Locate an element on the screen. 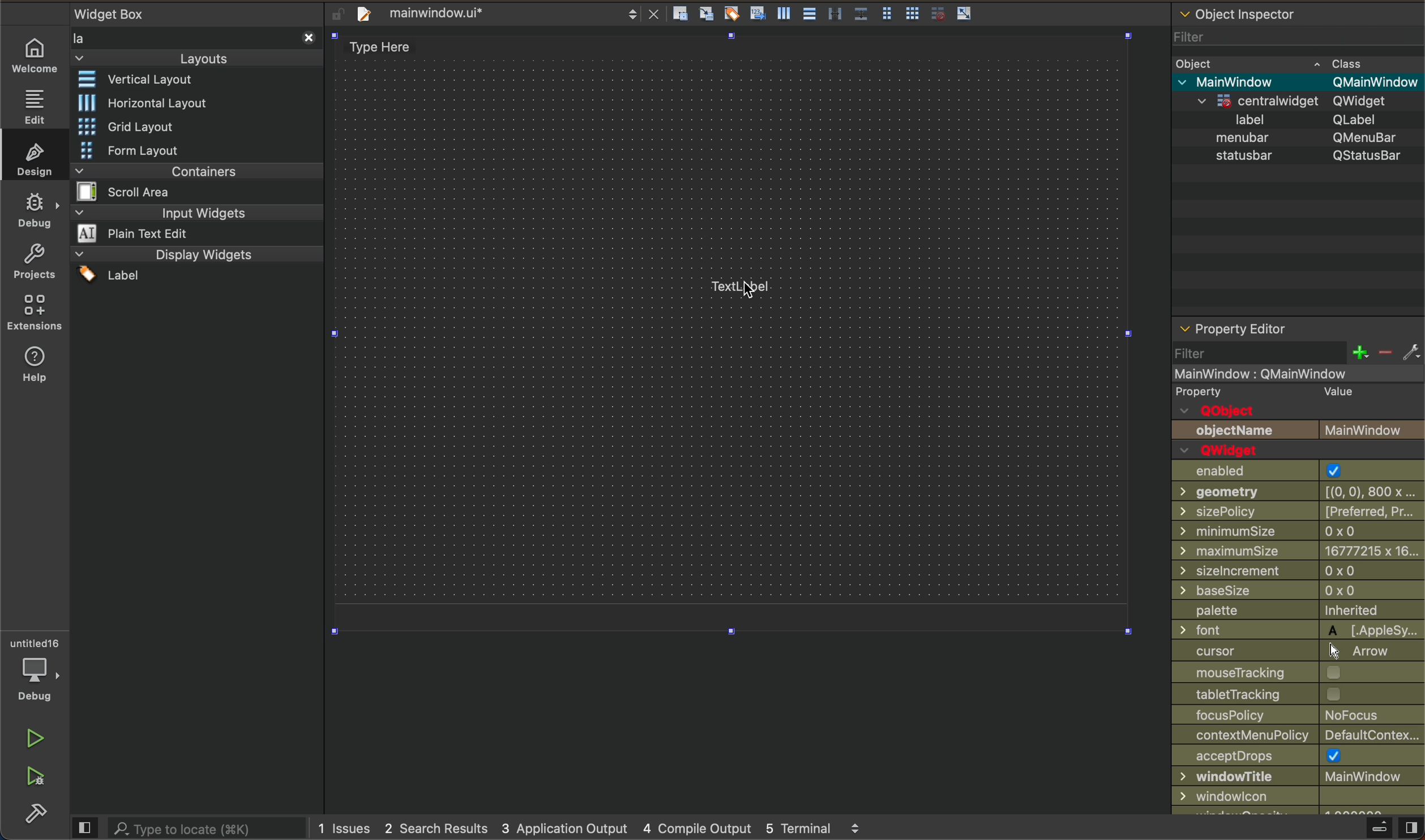  label is located at coordinates (737, 284).